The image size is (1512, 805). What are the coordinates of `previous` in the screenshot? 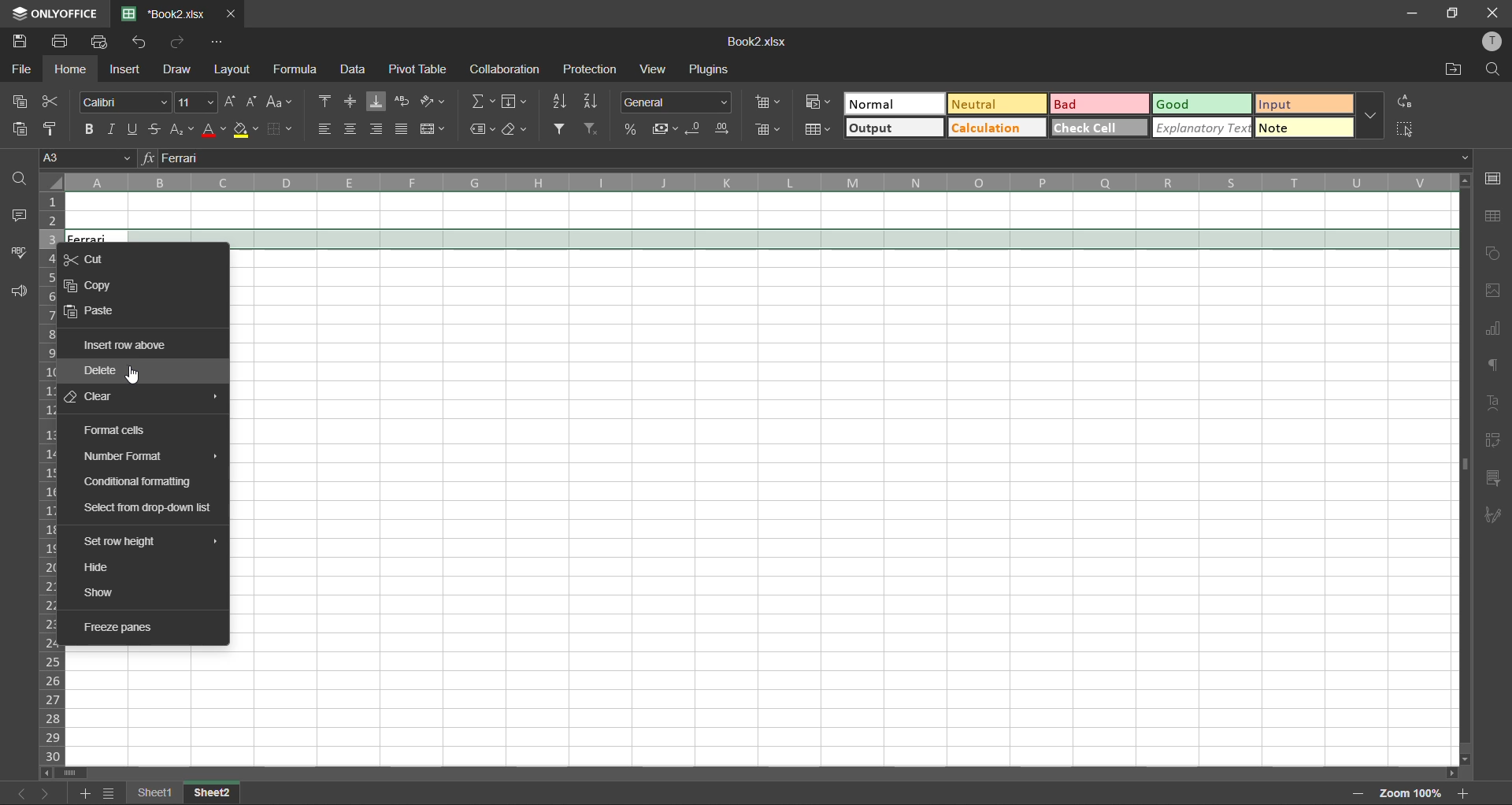 It's located at (18, 792).